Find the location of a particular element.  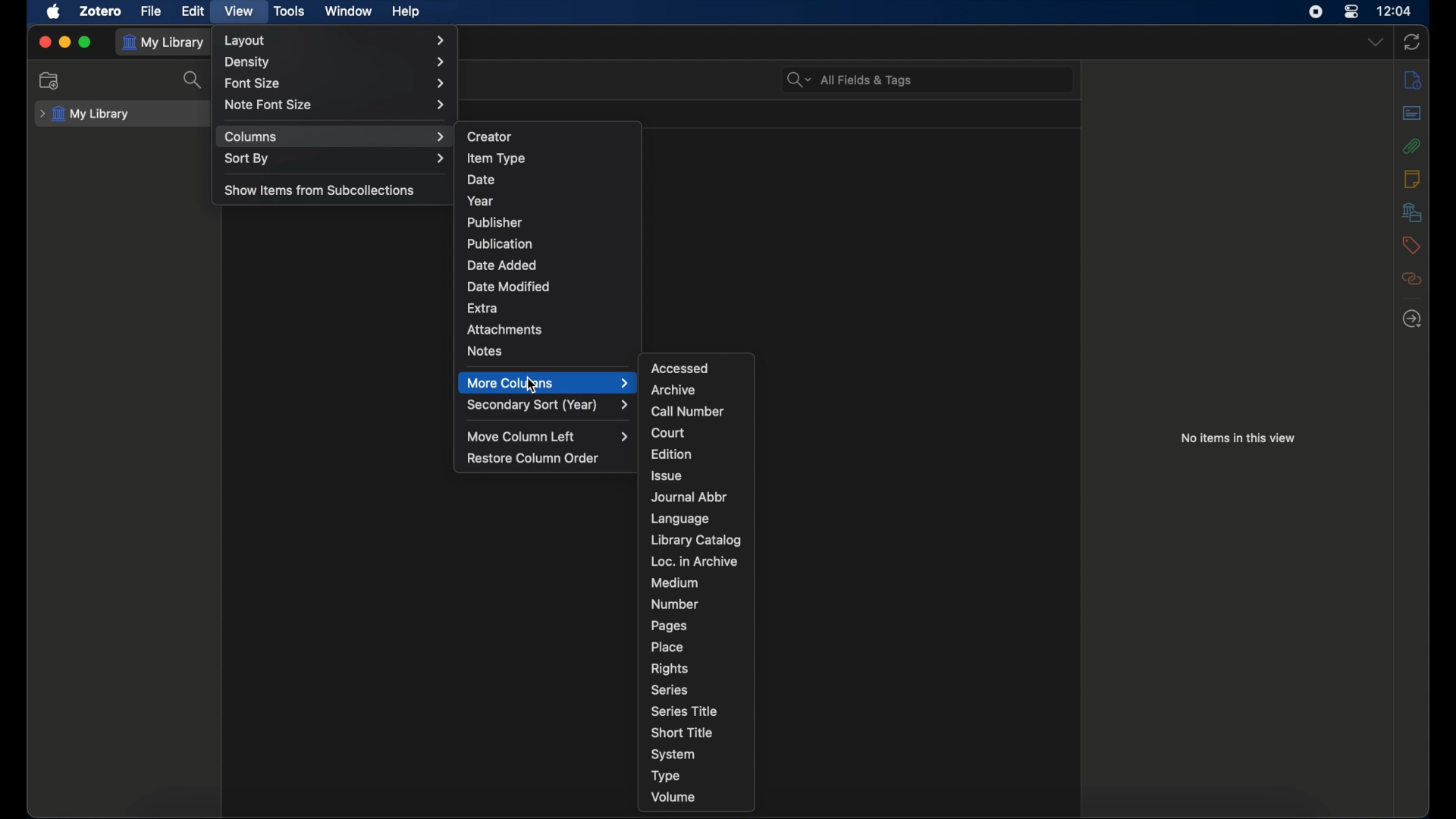

zotero is located at coordinates (102, 11).